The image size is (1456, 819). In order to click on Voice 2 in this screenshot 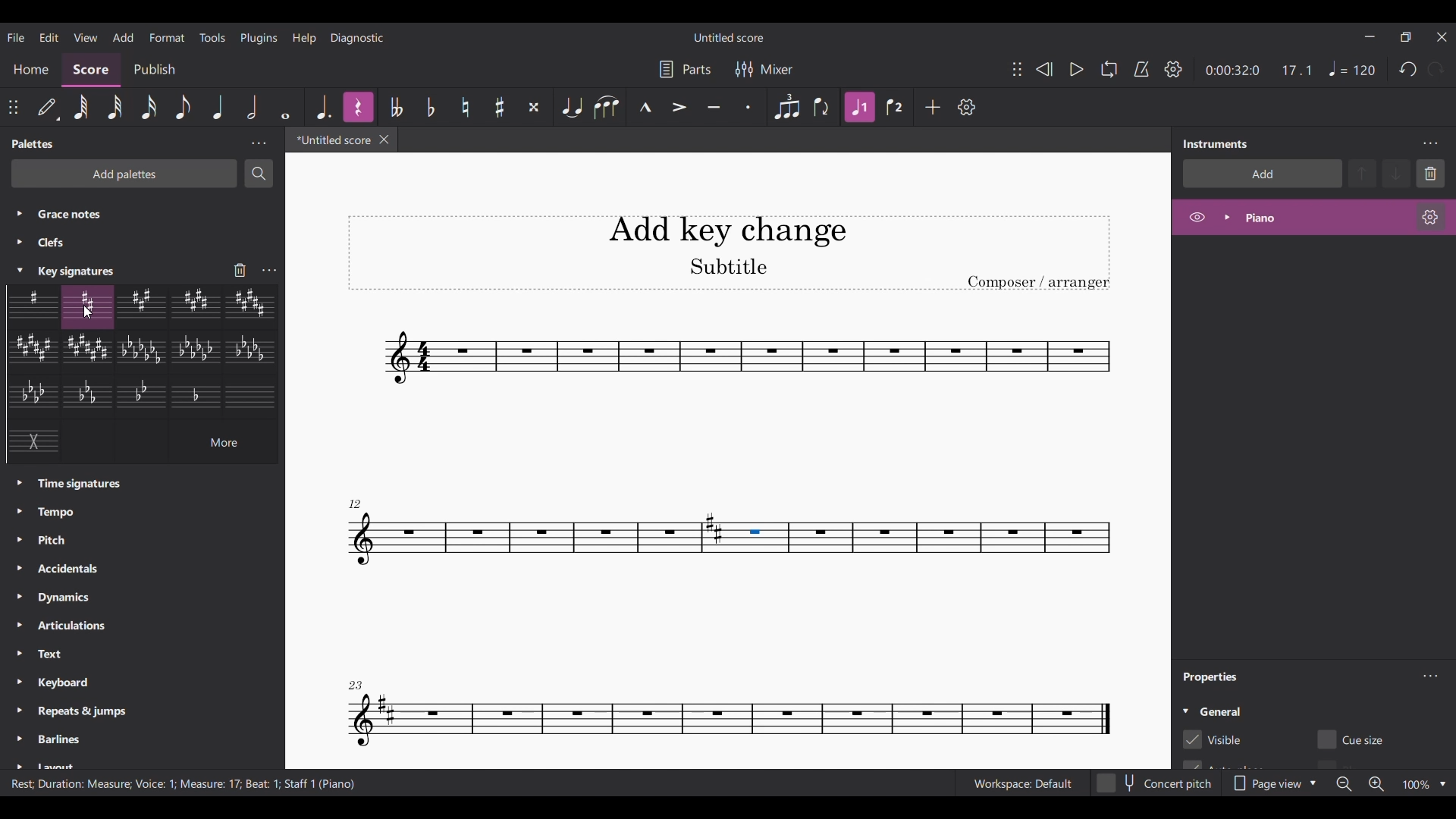, I will do `click(894, 107)`.